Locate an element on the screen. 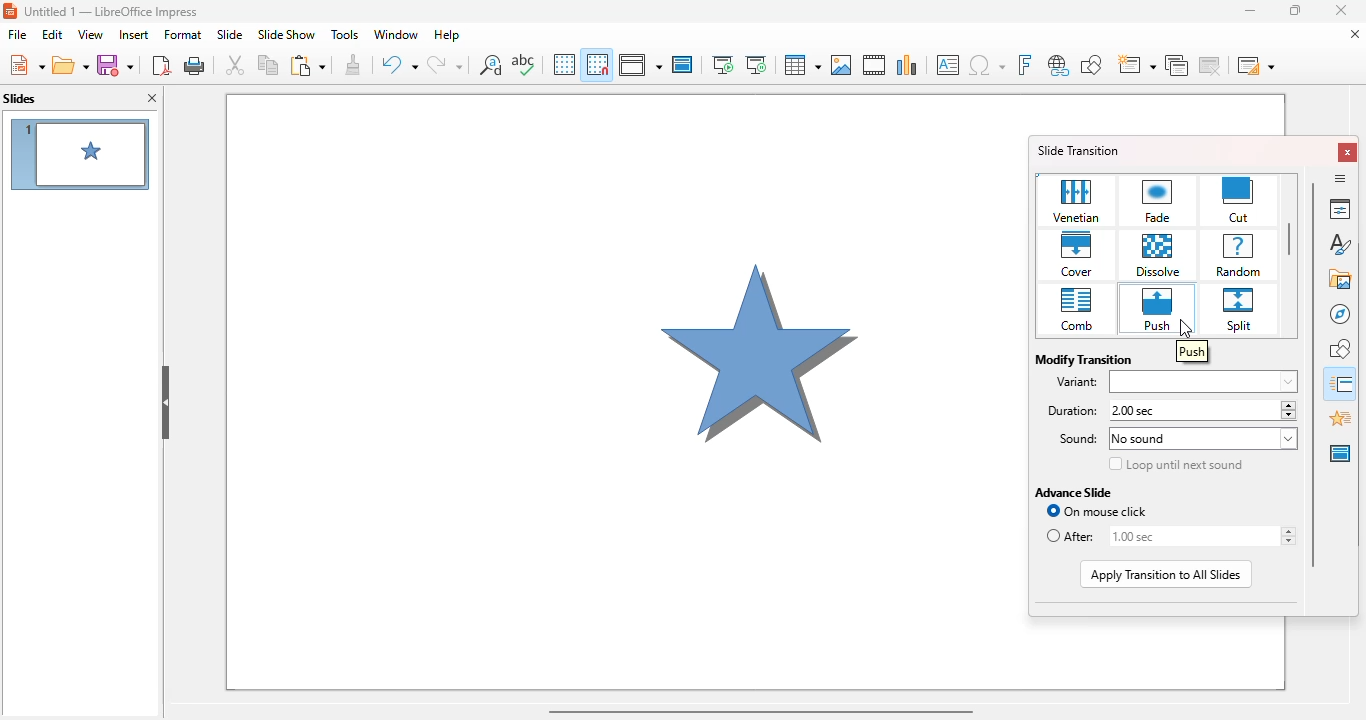 Image resolution: width=1366 pixels, height=720 pixels. insert hyperlink is located at coordinates (1059, 66).